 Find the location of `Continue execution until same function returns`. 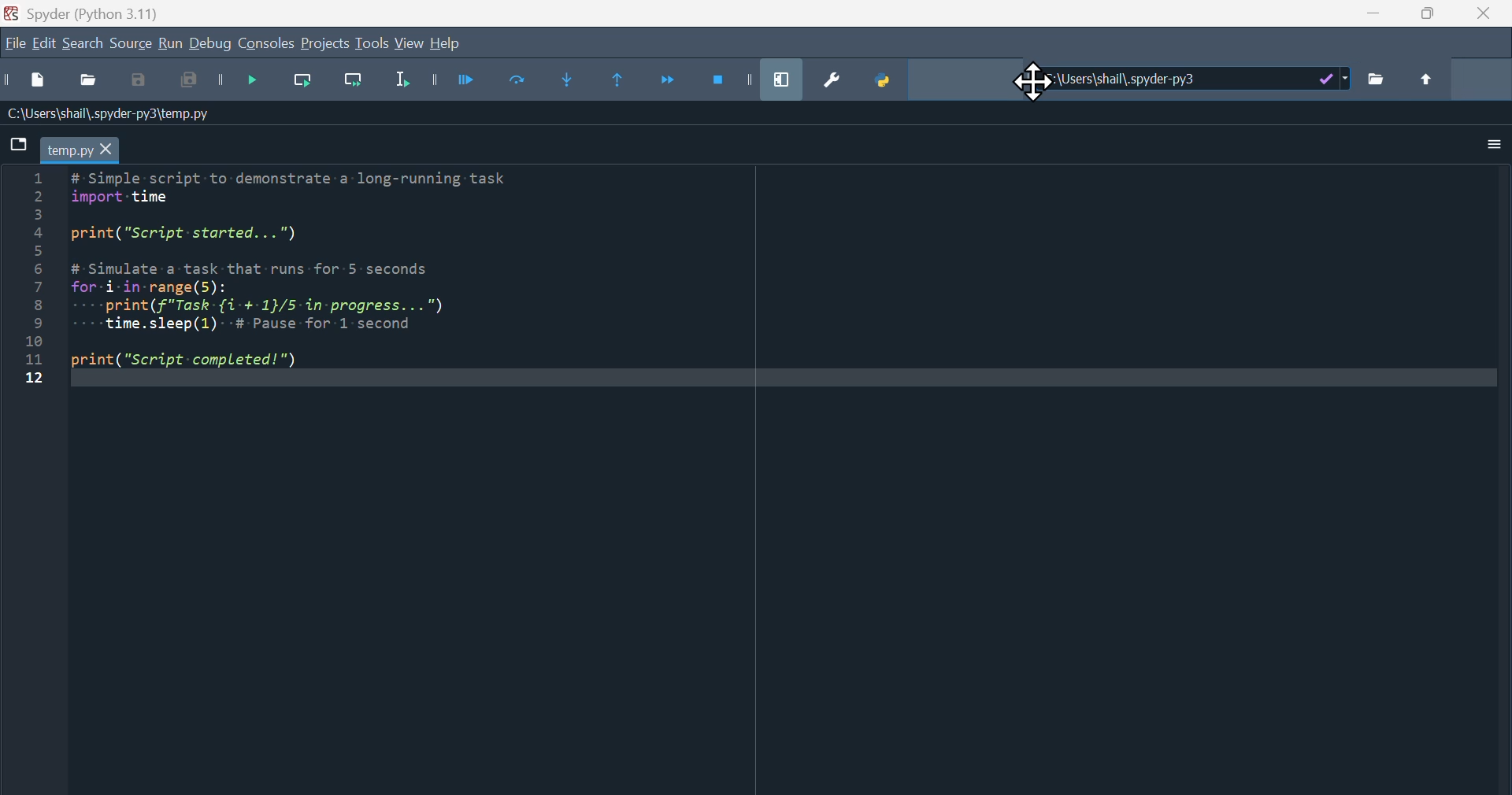

Continue execution until same function returns is located at coordinates (628, 83).